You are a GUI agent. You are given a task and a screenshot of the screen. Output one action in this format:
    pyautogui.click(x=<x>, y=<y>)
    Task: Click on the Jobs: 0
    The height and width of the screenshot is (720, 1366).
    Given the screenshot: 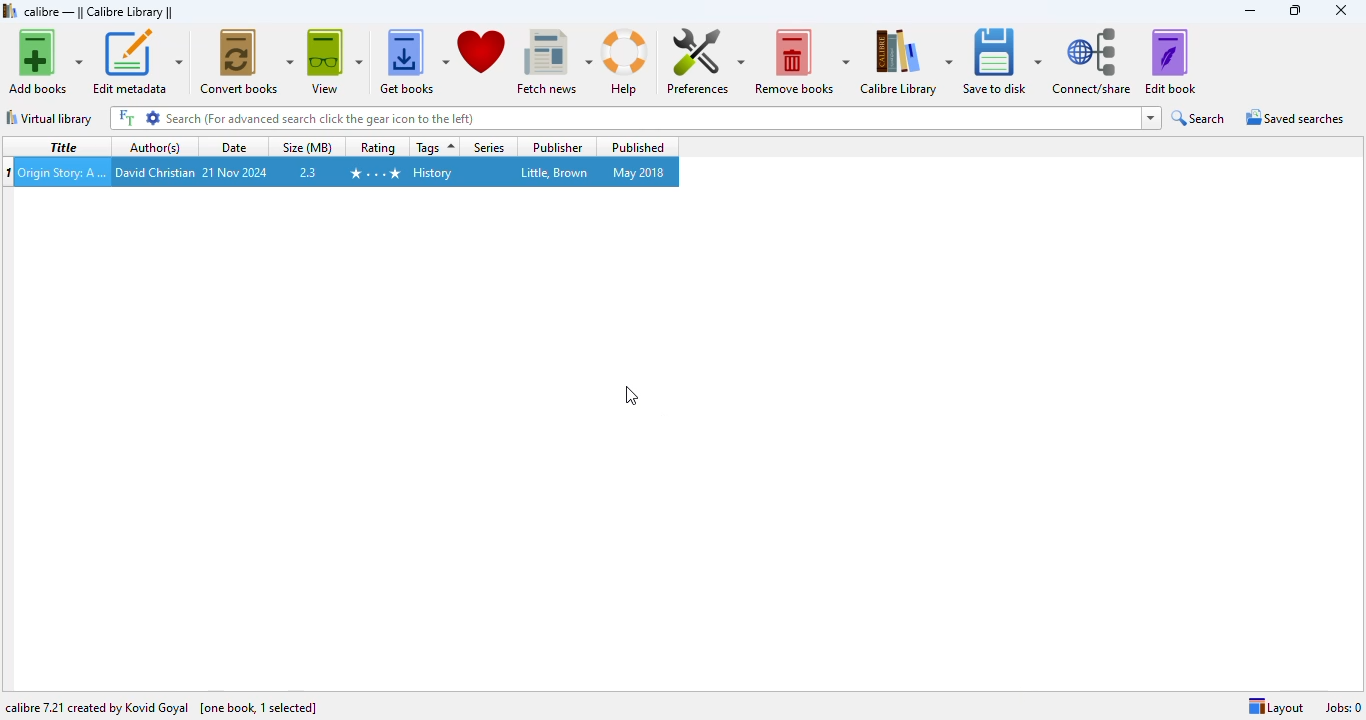 What is the action you would take?
    pyautogui.click(x=1343, y=707)
    